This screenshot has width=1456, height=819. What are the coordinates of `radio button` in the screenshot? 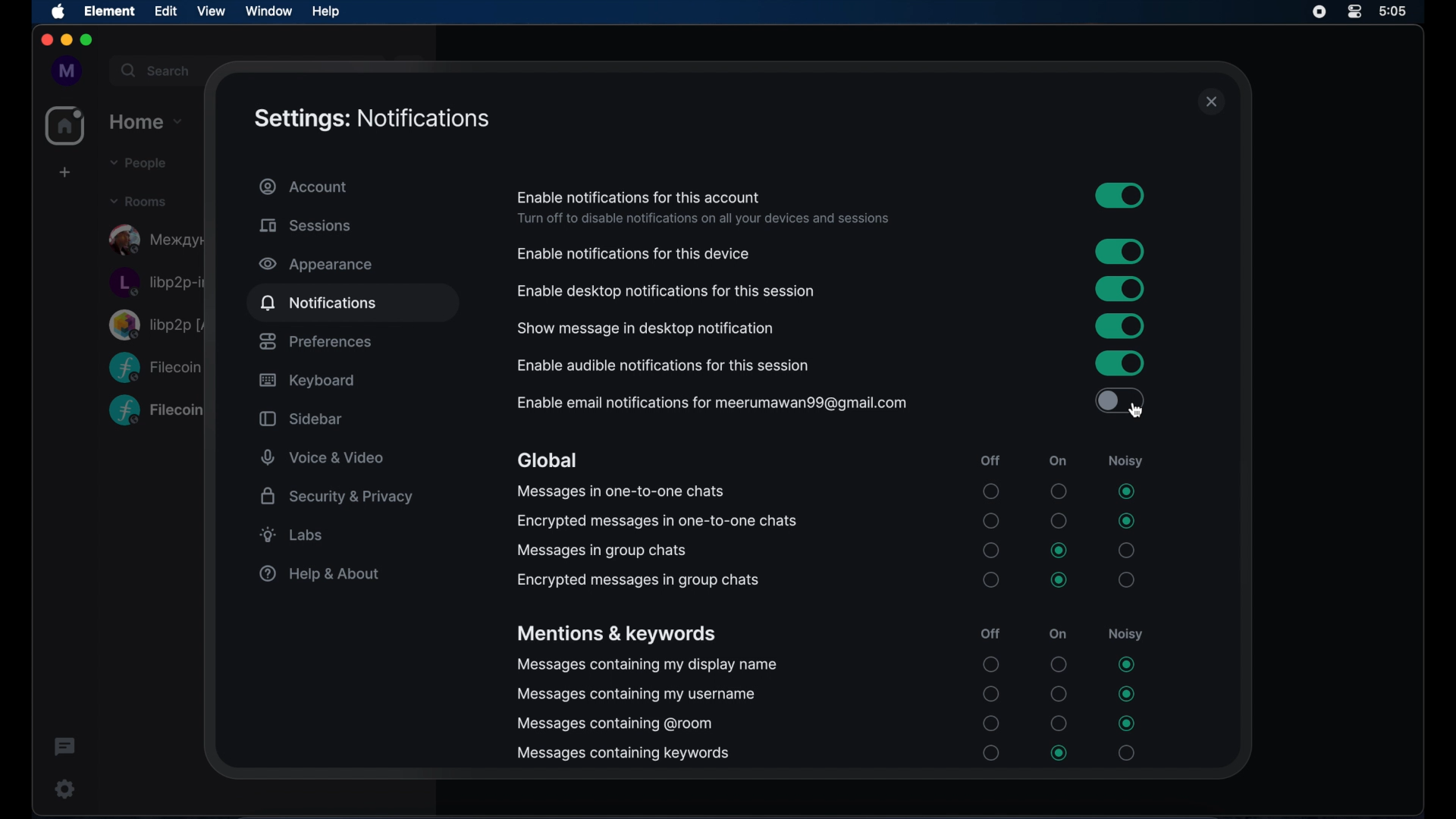 It's located at (1128, 579).